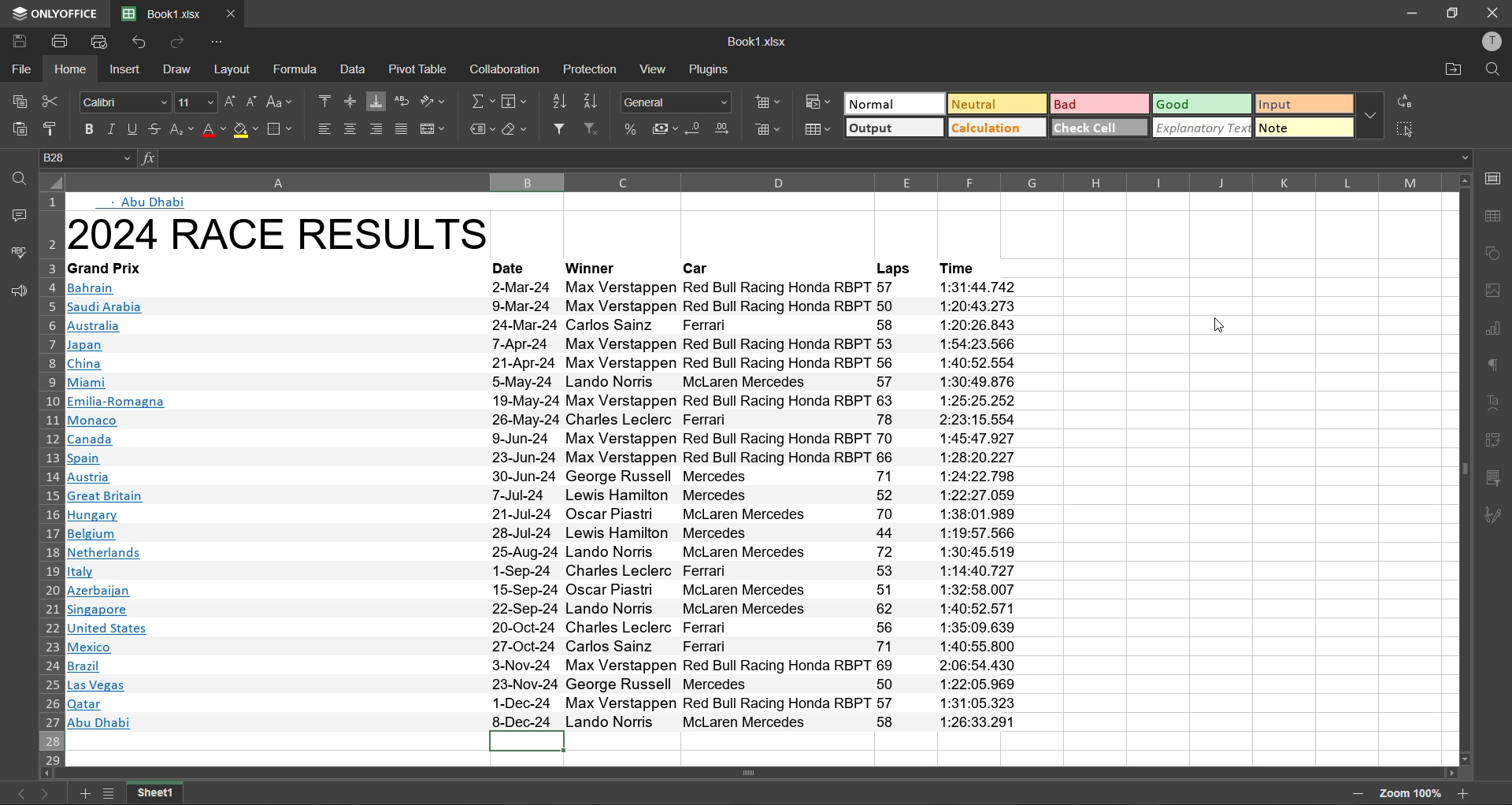 The image size is (1512, 805). Describe the element at coordinates (1406, 99) in the screenshot. I see `replace` at that location.